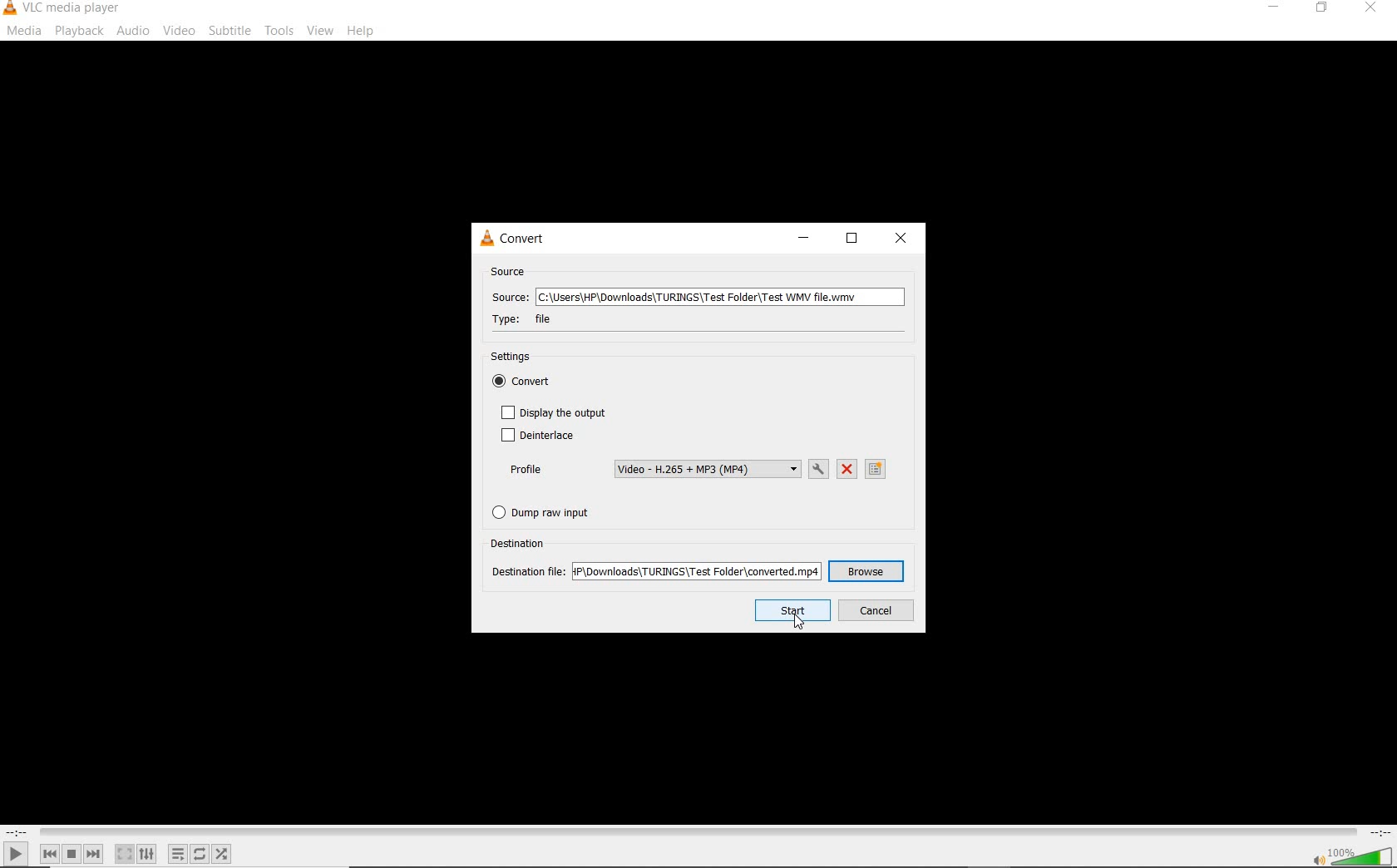 This screenshot has height=868, width=1397. I want to click on next media, so click(95, 854).